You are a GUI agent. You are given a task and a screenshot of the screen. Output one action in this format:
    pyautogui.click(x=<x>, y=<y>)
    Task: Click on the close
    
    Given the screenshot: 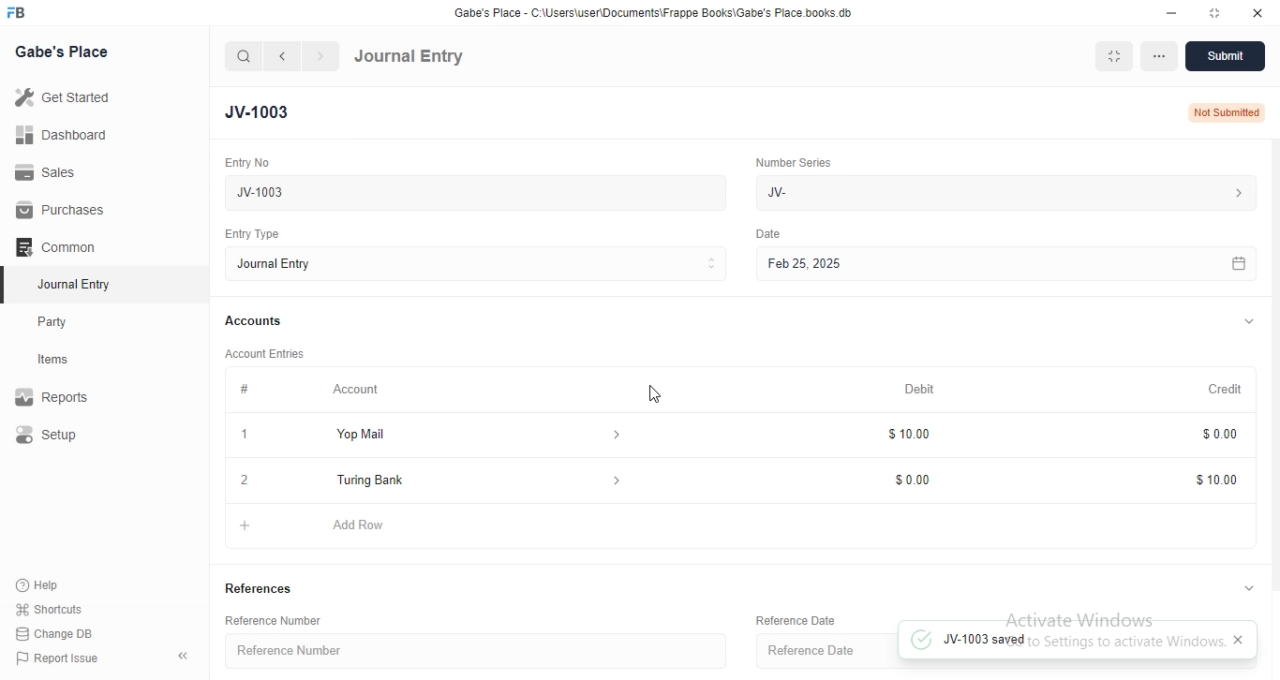 What is the action you would take?
    pyautogui.click(x=246, y=480)
    